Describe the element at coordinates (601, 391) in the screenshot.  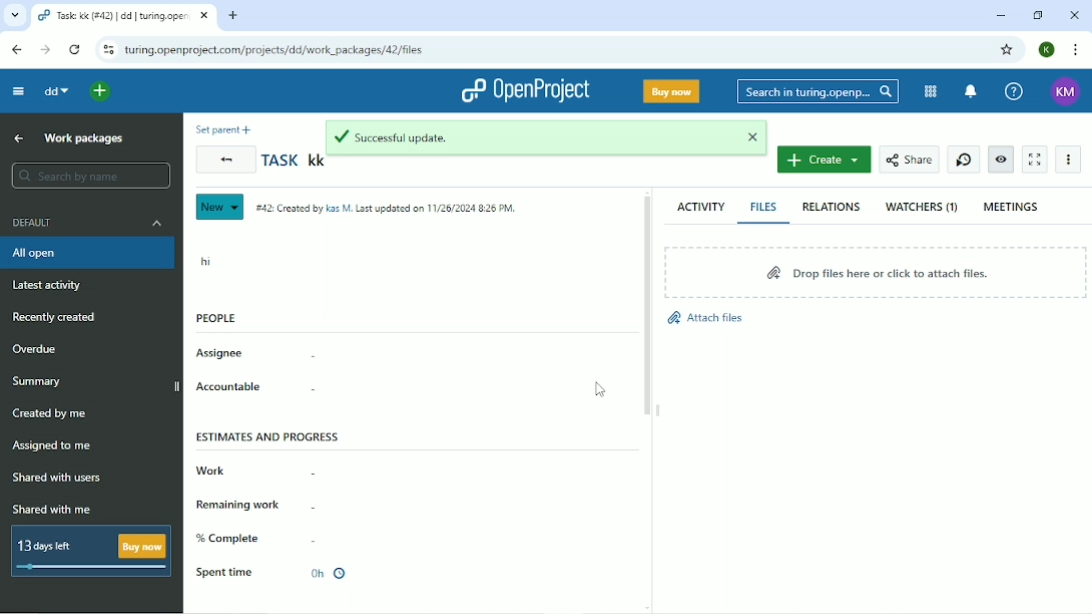
I see `Cursor` at that location.